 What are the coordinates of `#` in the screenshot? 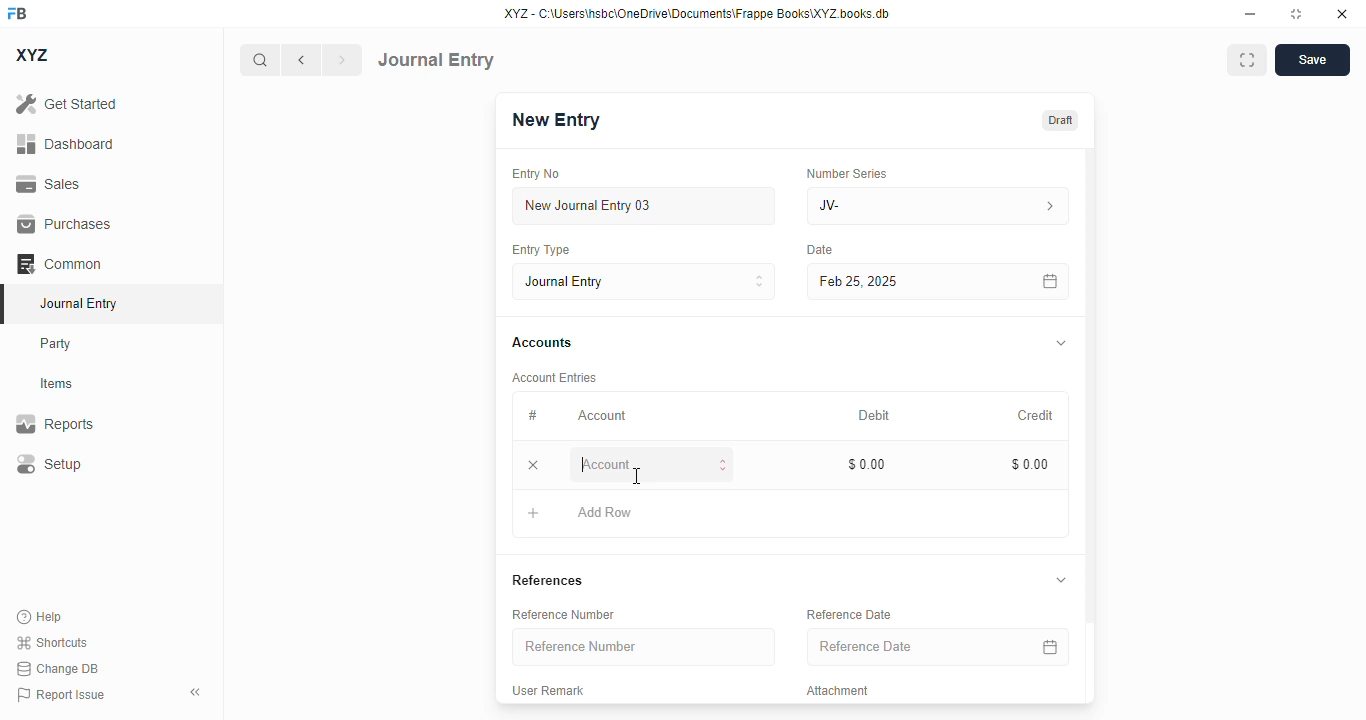 It's located at (532, 416).